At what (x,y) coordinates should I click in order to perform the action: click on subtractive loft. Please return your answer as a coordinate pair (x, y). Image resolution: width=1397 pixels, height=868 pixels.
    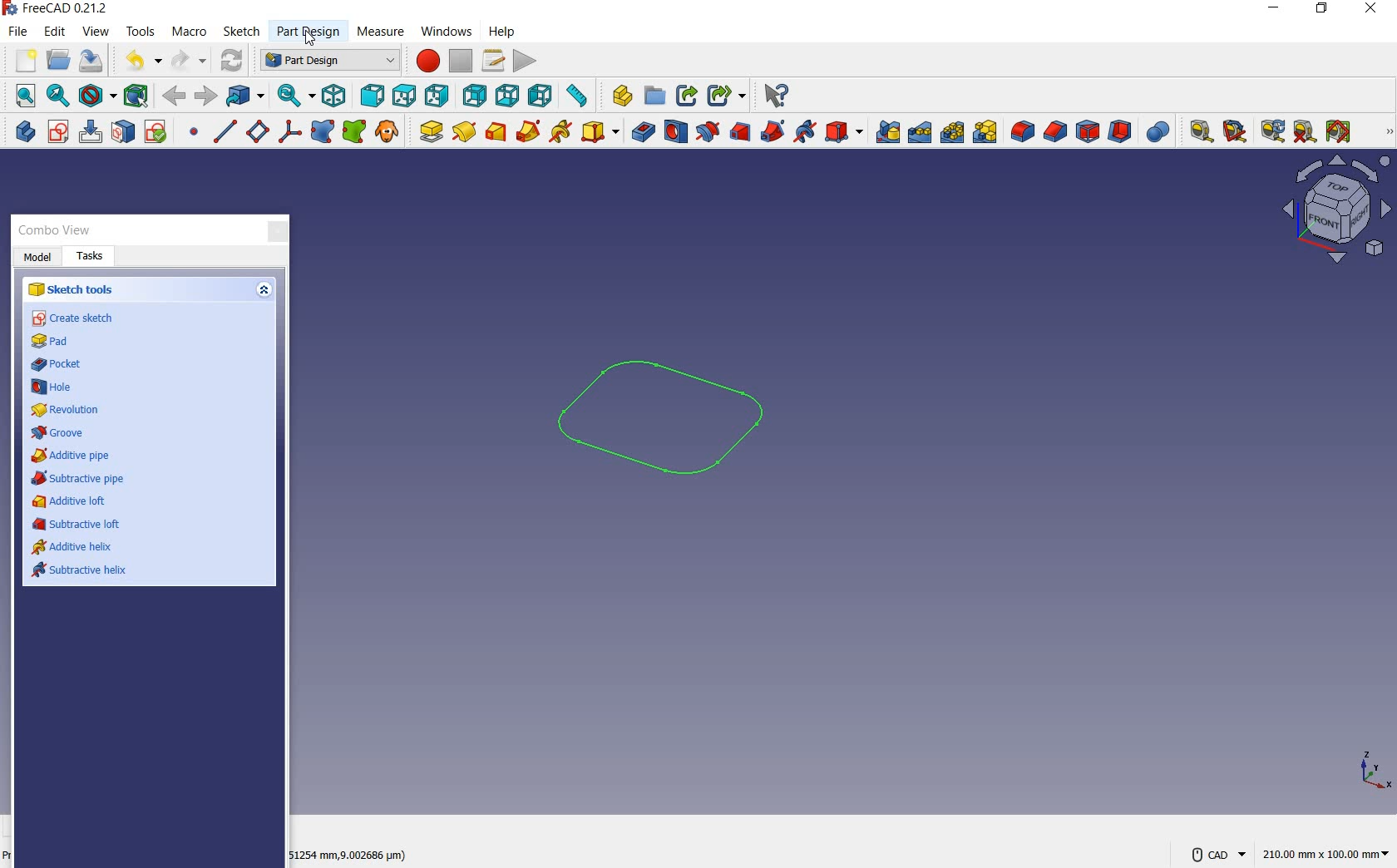
    Looking at the image, I should click on (77, 524).